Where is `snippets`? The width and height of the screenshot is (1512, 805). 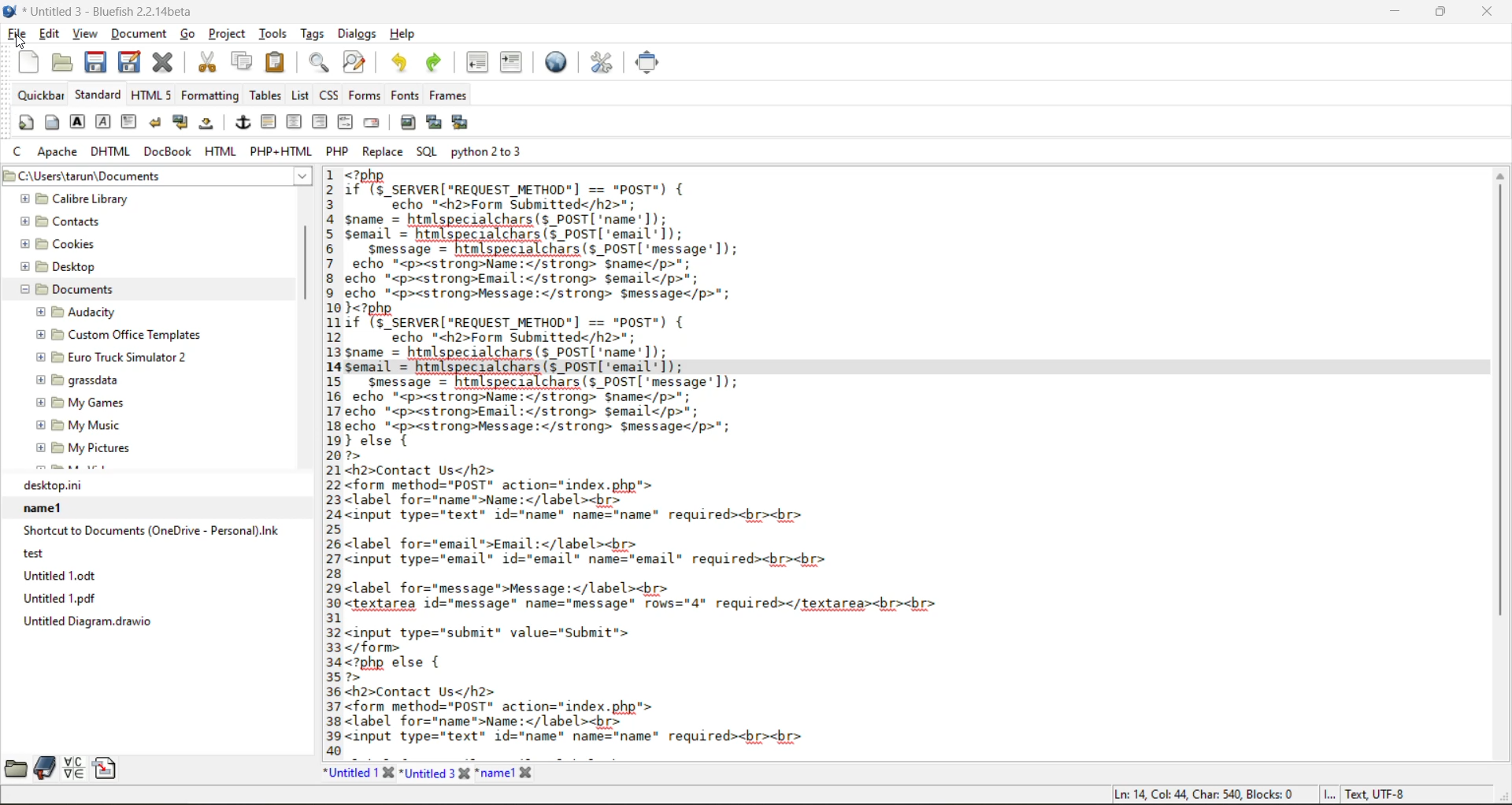 snippets is located at coordinates (109, 768).